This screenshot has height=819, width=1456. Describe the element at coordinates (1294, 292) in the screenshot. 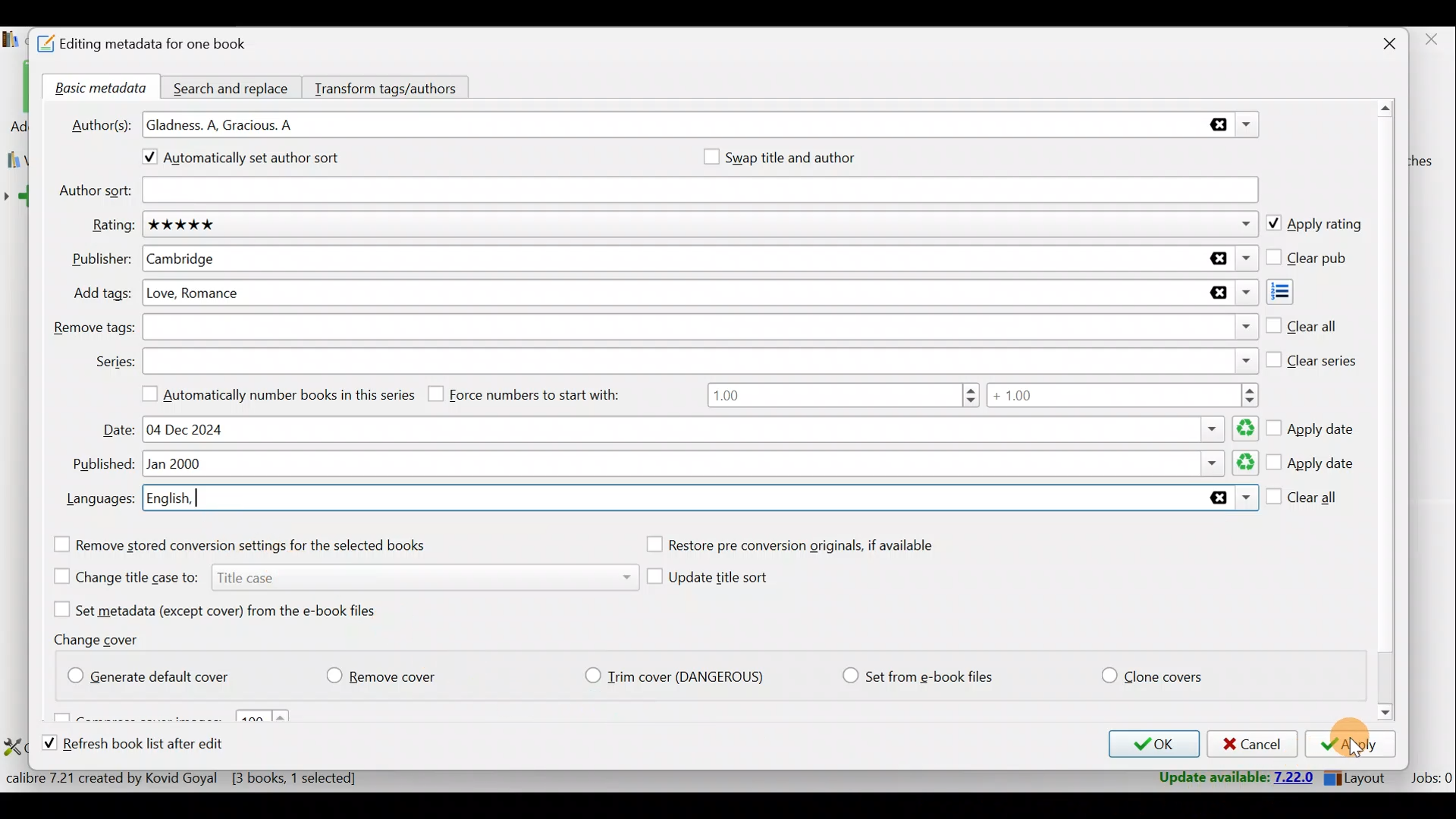

I see `Add tags` at that location.